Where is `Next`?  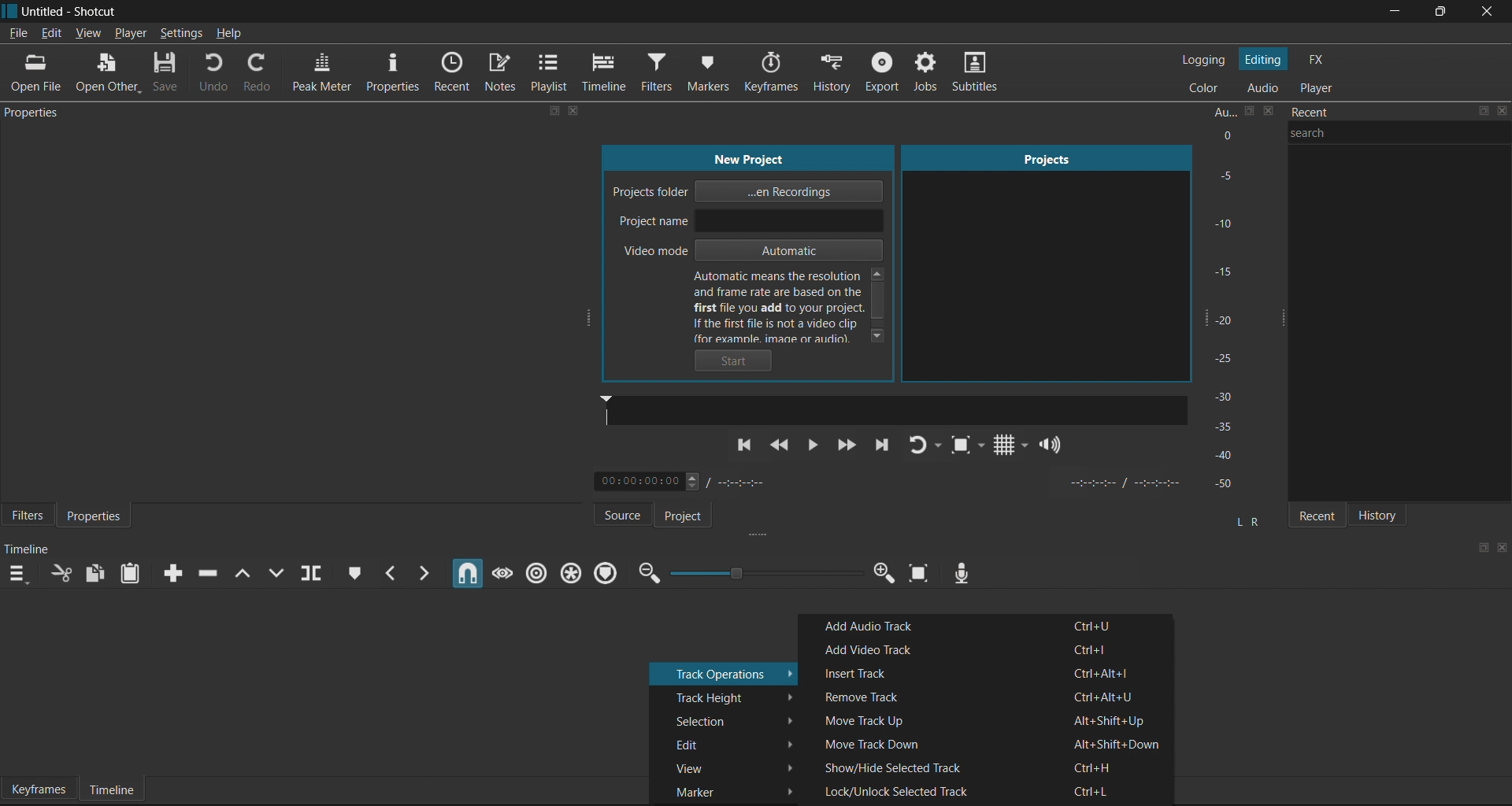
Next is located at coordinates (883, 448).